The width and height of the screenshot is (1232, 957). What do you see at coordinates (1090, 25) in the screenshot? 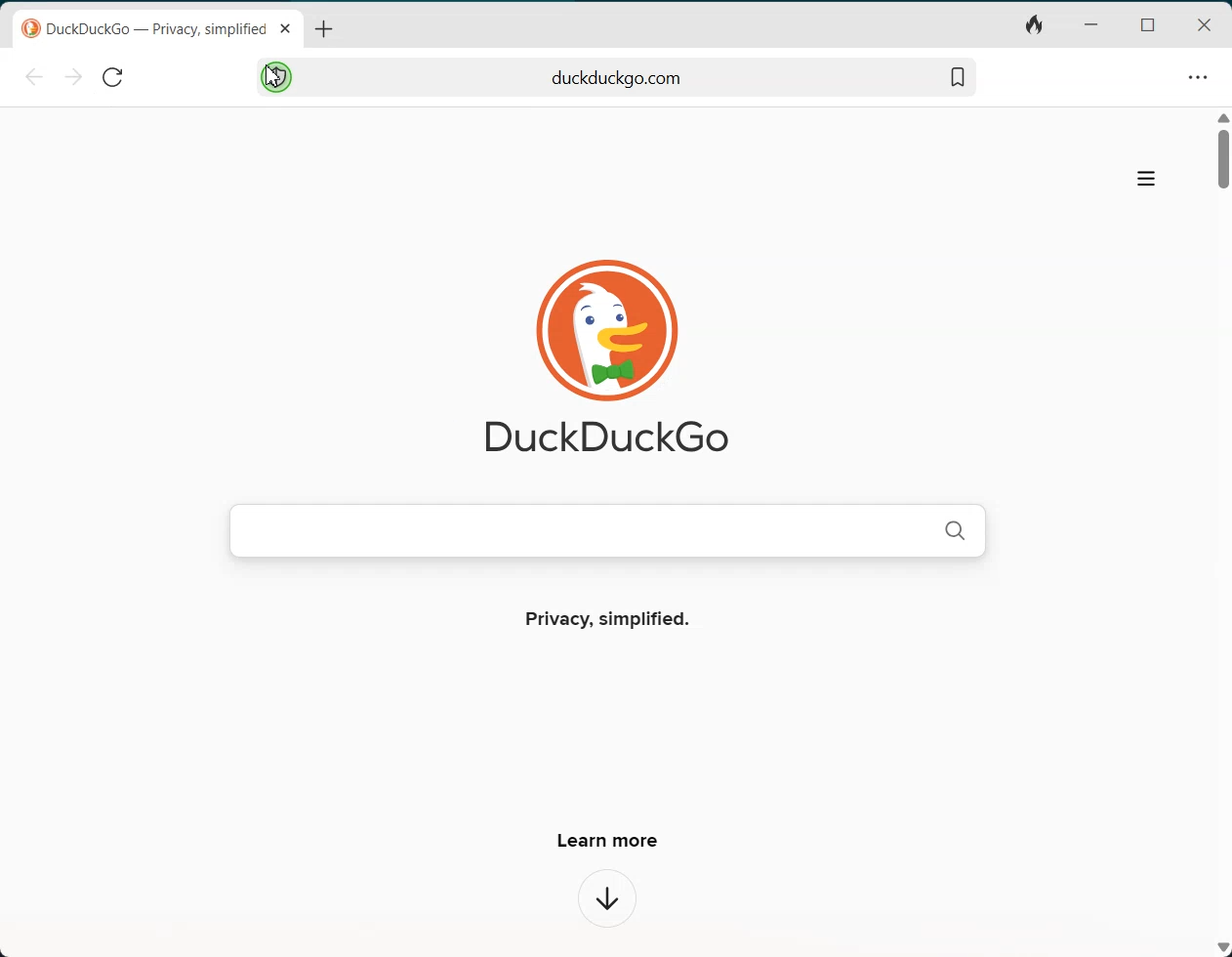
I see `Minimize` at bounding box center [1090, 25].